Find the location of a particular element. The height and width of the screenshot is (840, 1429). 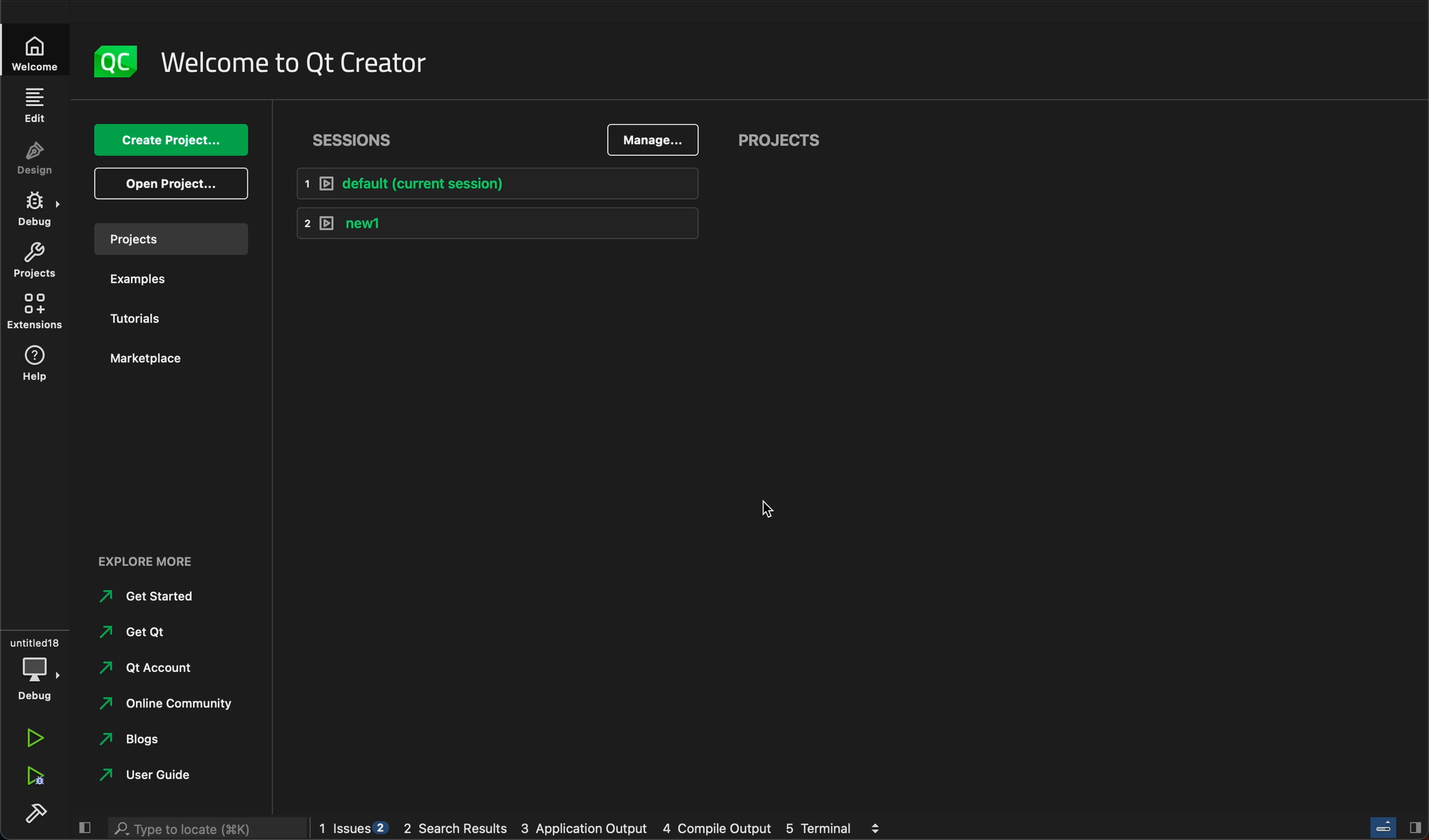

logs is located at coordinates (603, 829).